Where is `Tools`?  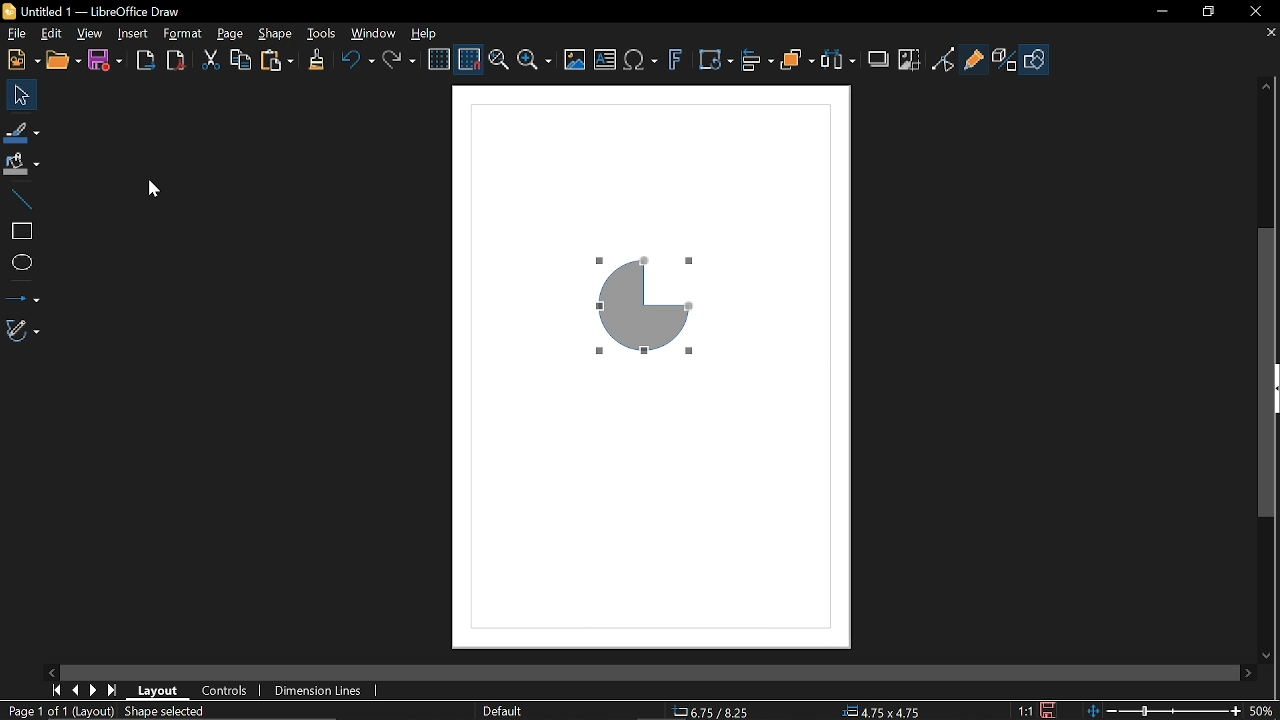 Tools is located at coordinates (324, 34).